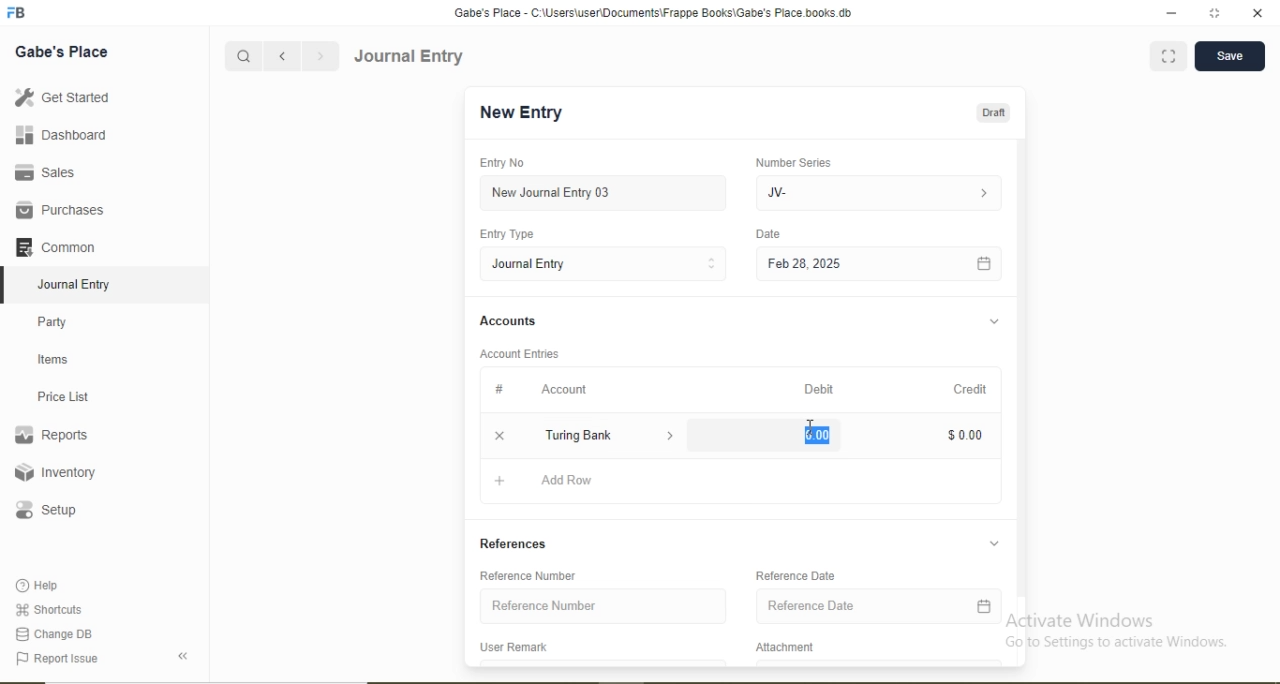 This screenshot has width=1280, height=684. What do you see at coordinates (242, 57) in the screenshot?
I see `Search` at bounding box center [242, 57].